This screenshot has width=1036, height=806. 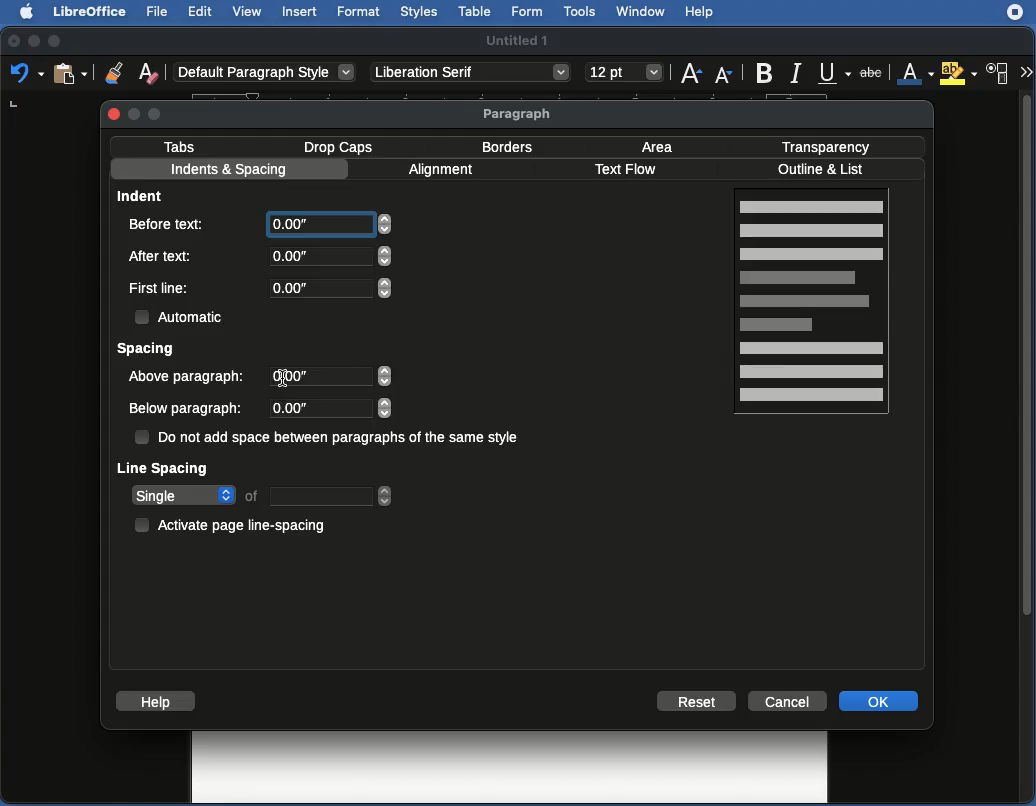 I want to click on Indents and spacing, so click(x=229, y=171).